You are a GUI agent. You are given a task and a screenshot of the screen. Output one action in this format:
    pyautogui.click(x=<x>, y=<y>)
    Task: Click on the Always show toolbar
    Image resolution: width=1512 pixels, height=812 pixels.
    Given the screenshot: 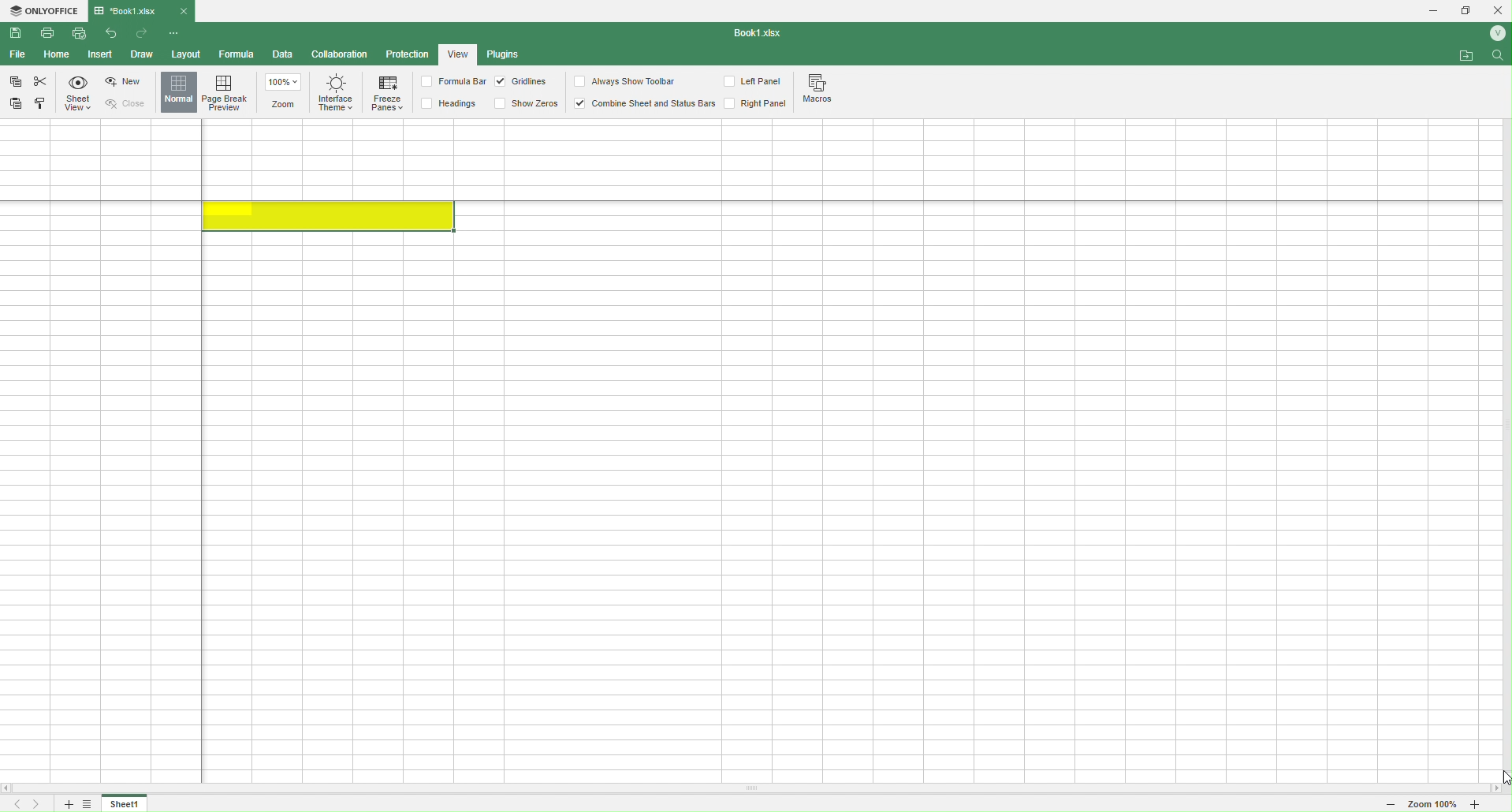 What is the action you would take?
    pyautogui.click(x=627, y=81)
    